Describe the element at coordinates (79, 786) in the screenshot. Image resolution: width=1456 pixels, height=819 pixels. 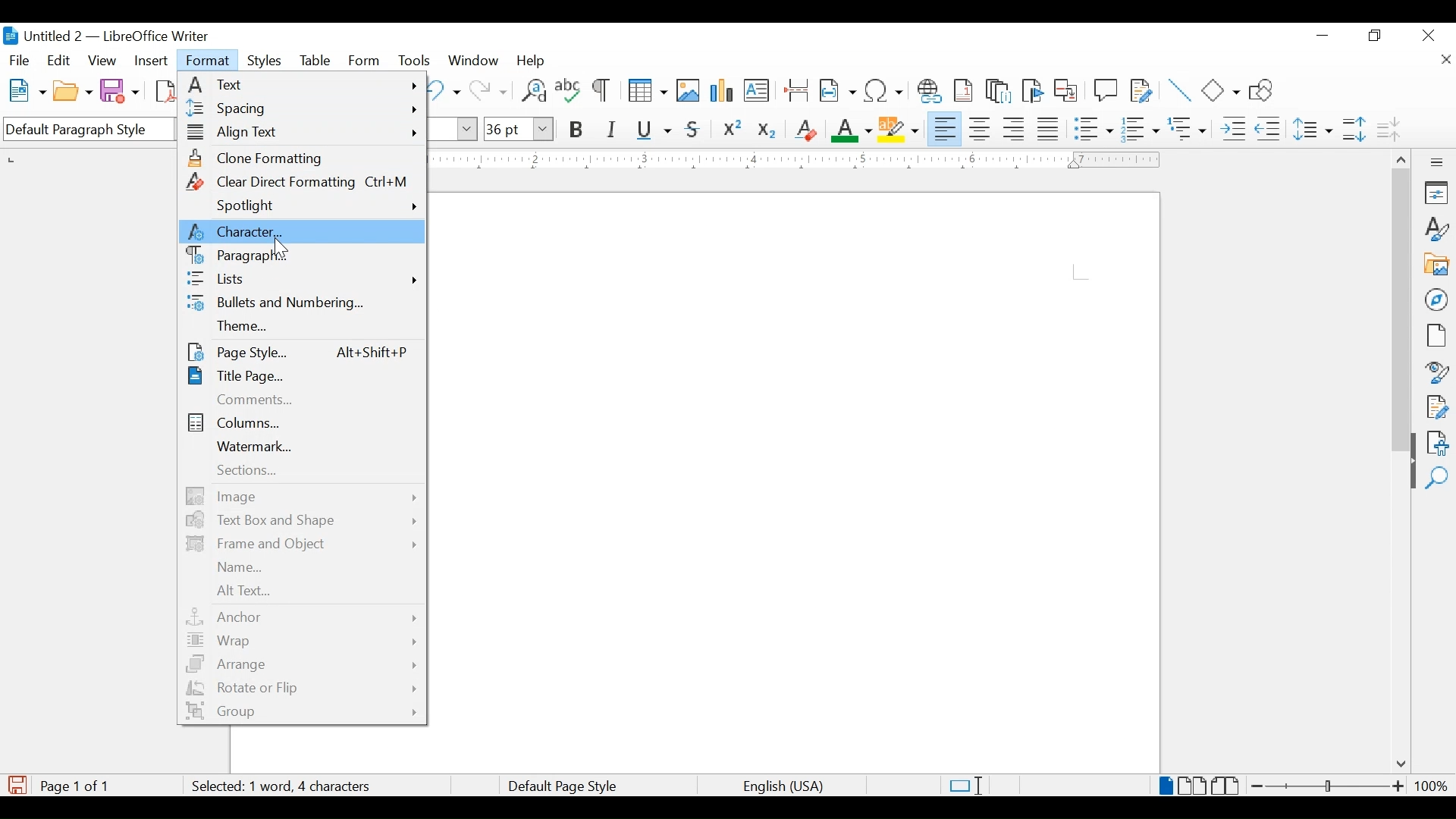
I see `page count` at that location.